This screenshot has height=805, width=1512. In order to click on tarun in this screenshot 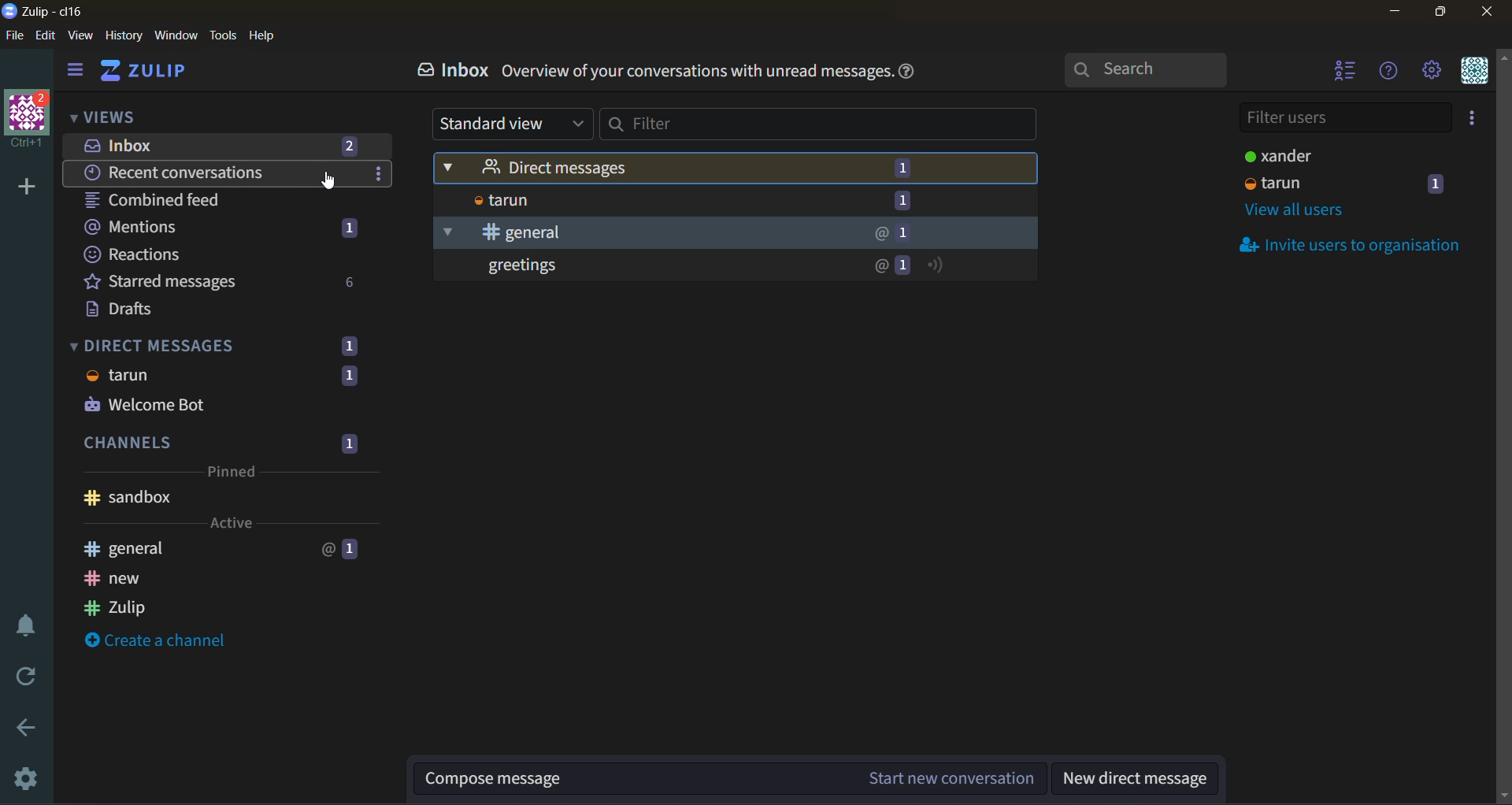, I will do `click(651, 201)`.